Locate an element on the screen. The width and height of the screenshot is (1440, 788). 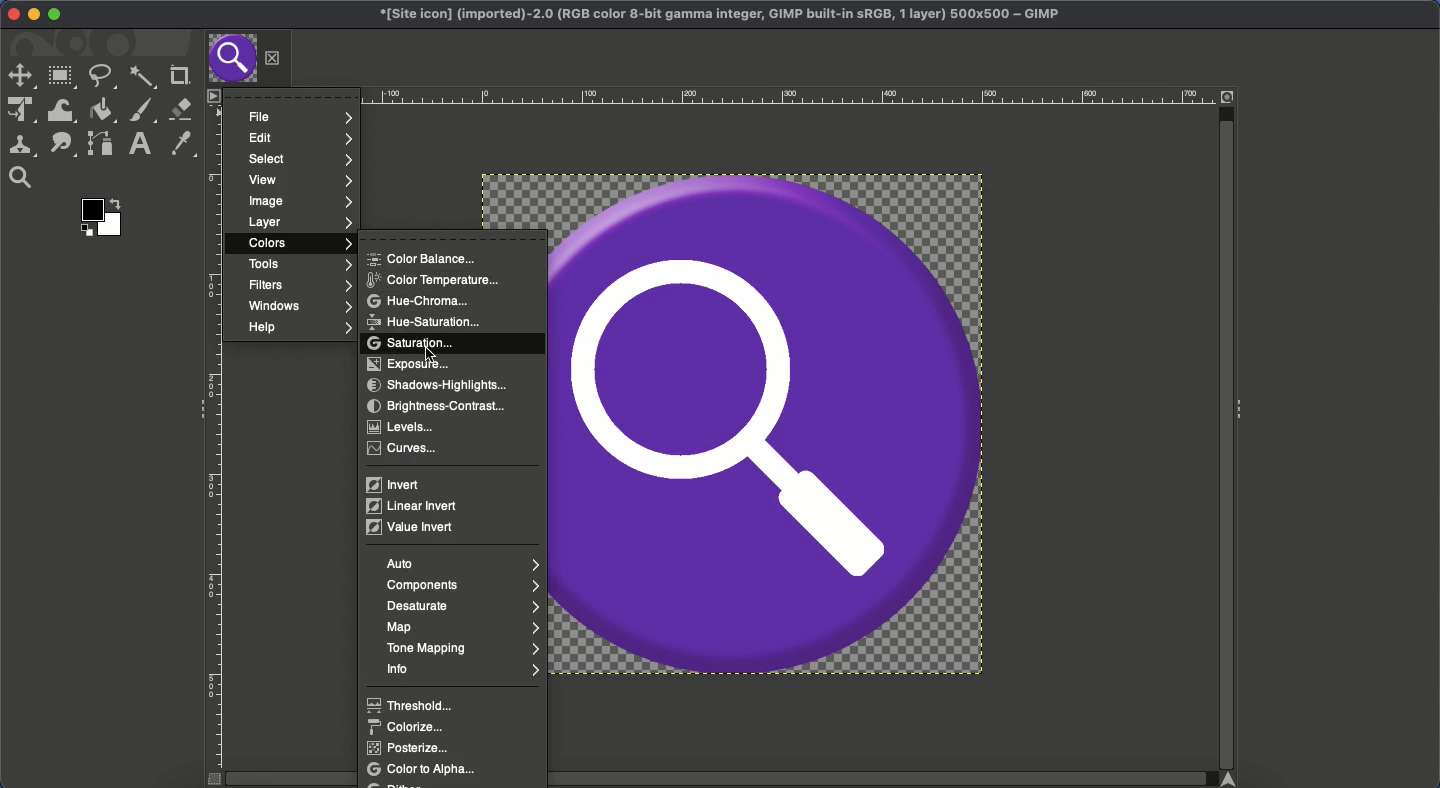
Minimize is located at coordinates (33, 15).